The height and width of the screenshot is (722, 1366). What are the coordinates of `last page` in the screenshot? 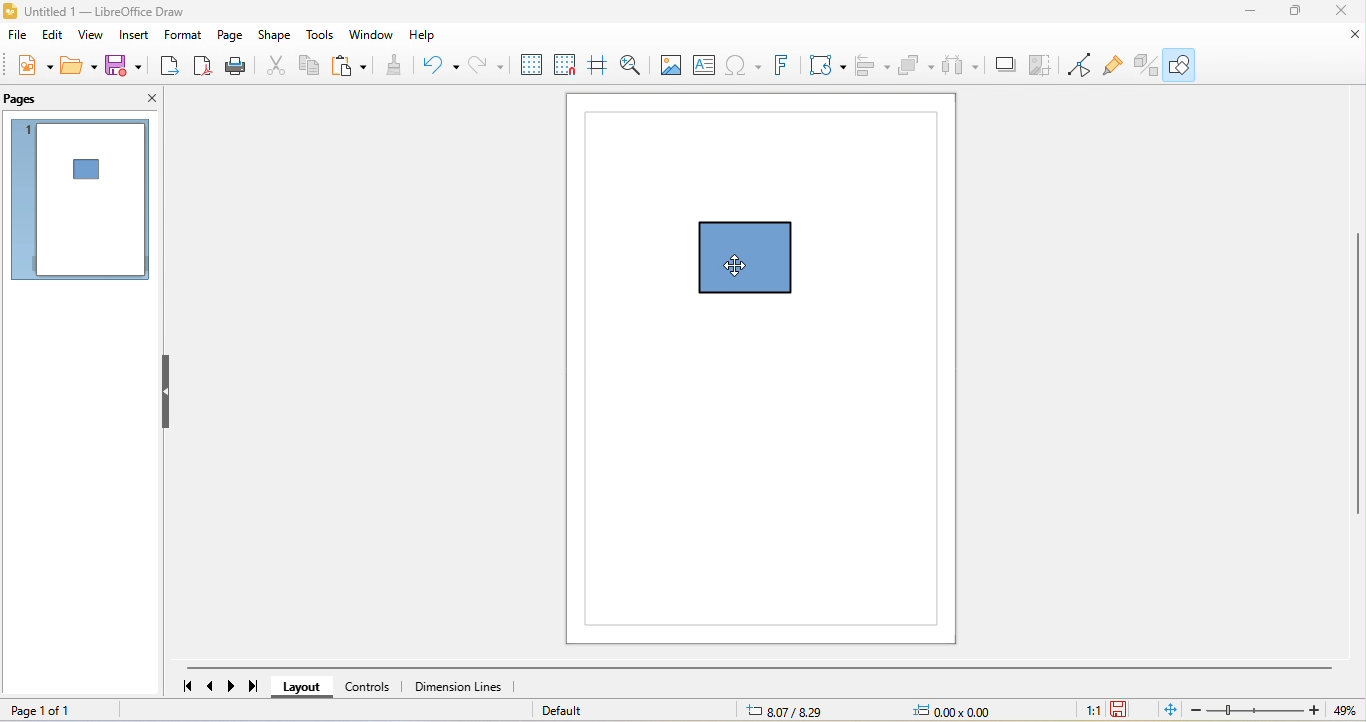 It's located at (261, 686).